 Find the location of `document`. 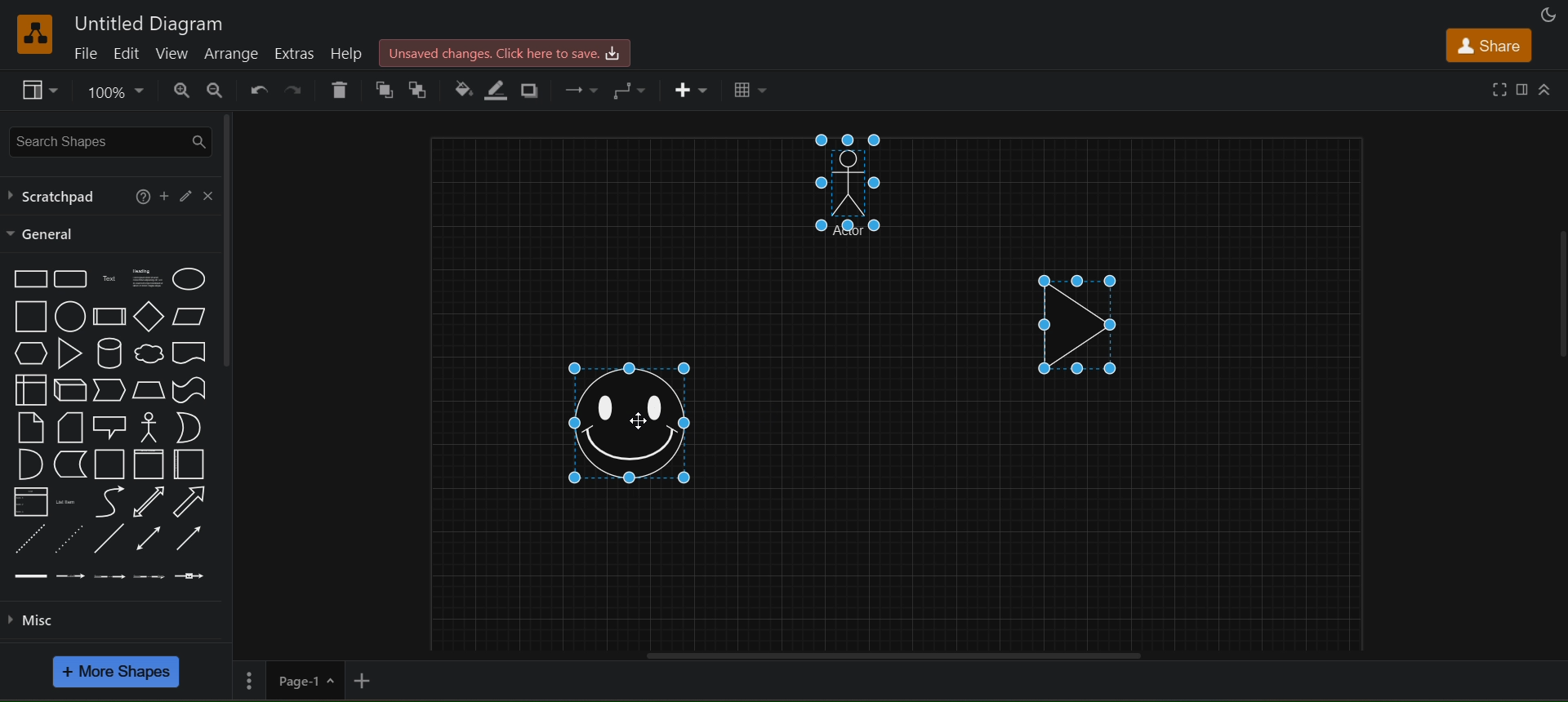

document is located at coordinates (189, 353).